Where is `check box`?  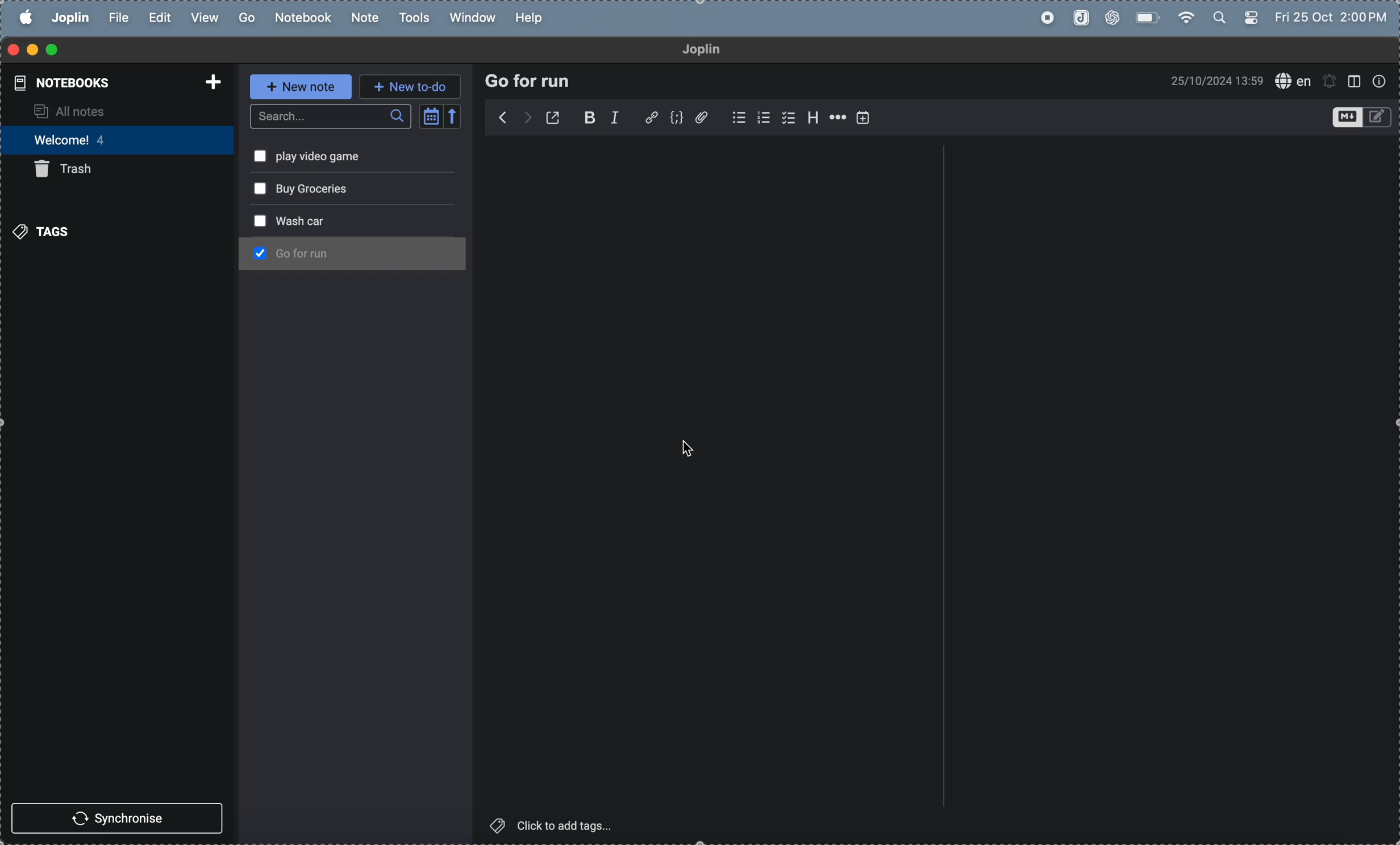 check box is located at coordinates (256, 221).